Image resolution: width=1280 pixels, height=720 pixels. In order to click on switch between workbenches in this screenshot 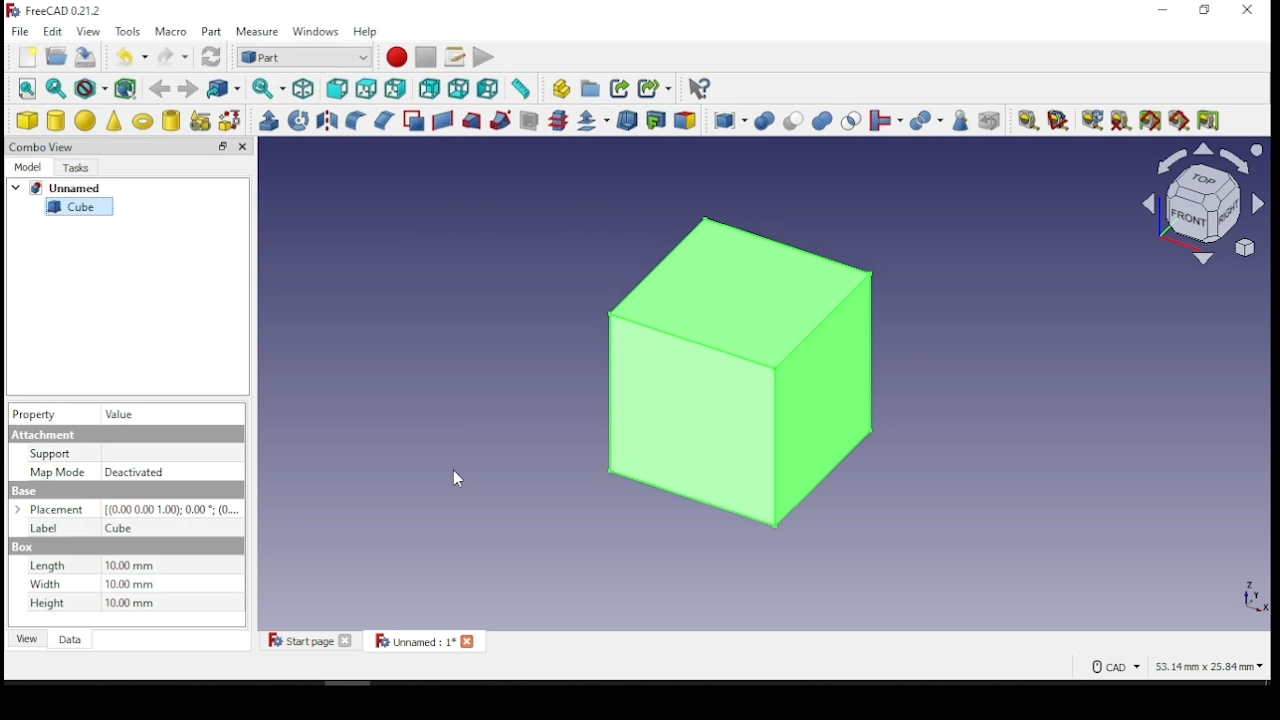, I will do `click(305, 58)`.